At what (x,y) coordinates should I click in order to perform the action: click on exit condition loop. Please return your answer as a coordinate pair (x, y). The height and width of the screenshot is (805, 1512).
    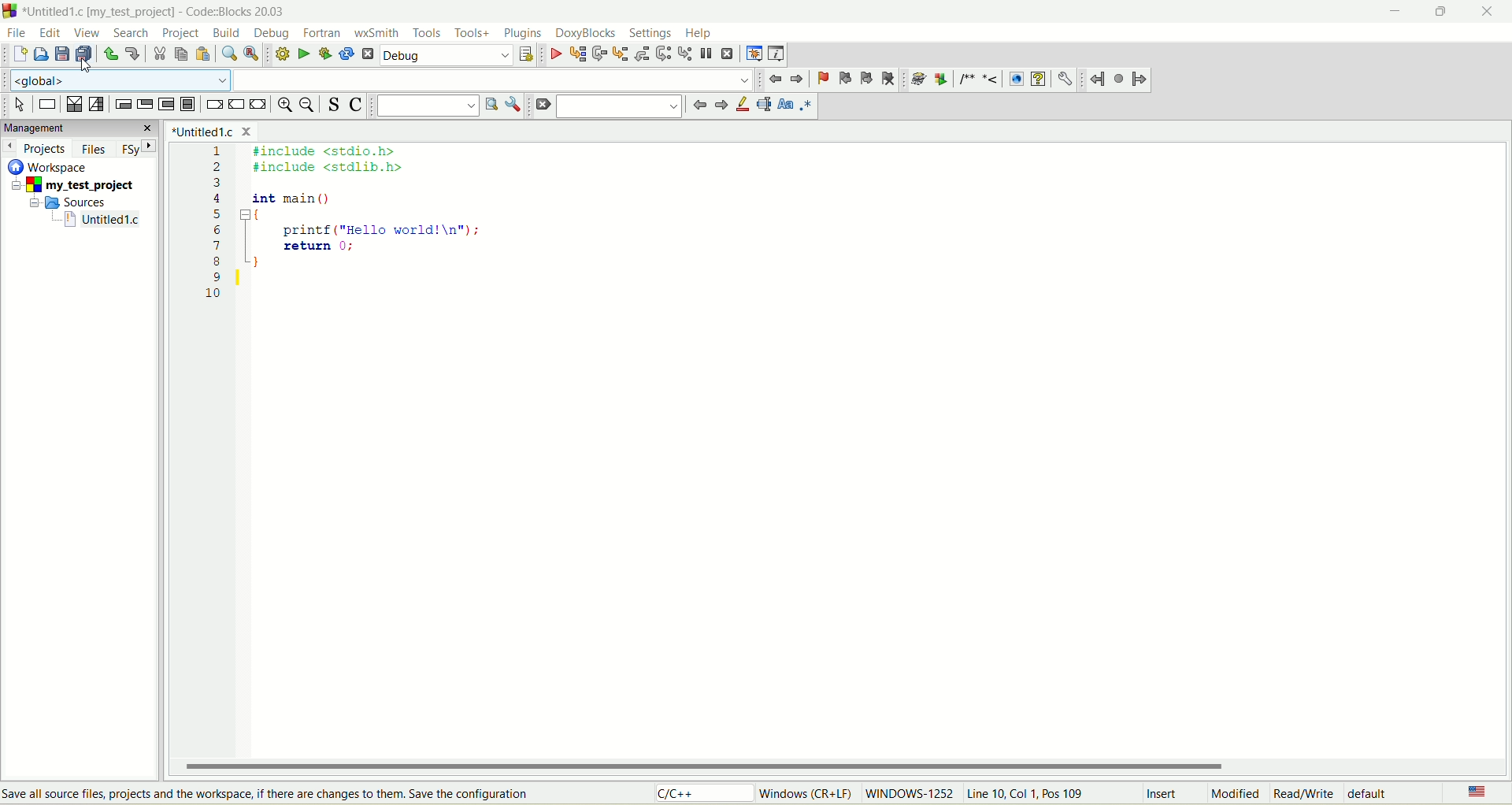
    Looking at the image, I should click on (143, 104).